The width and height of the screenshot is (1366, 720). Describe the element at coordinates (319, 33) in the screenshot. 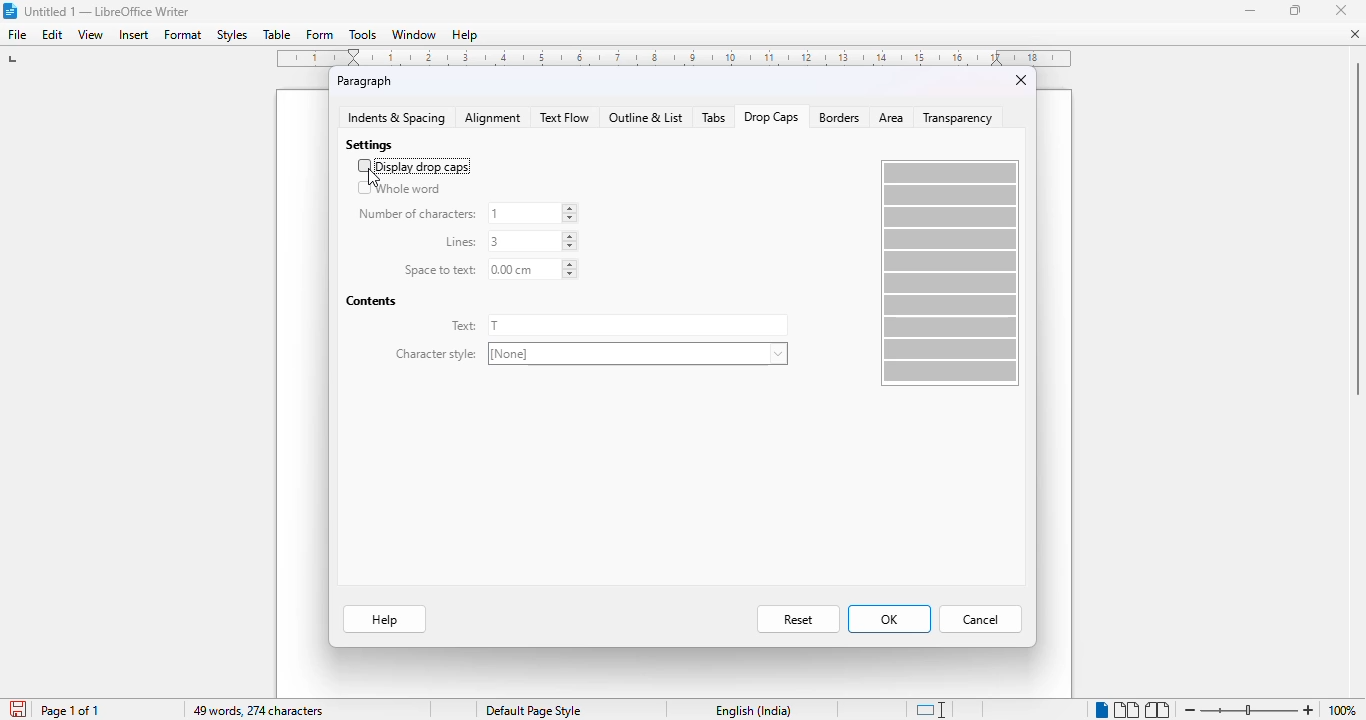

I see `form` at that location.